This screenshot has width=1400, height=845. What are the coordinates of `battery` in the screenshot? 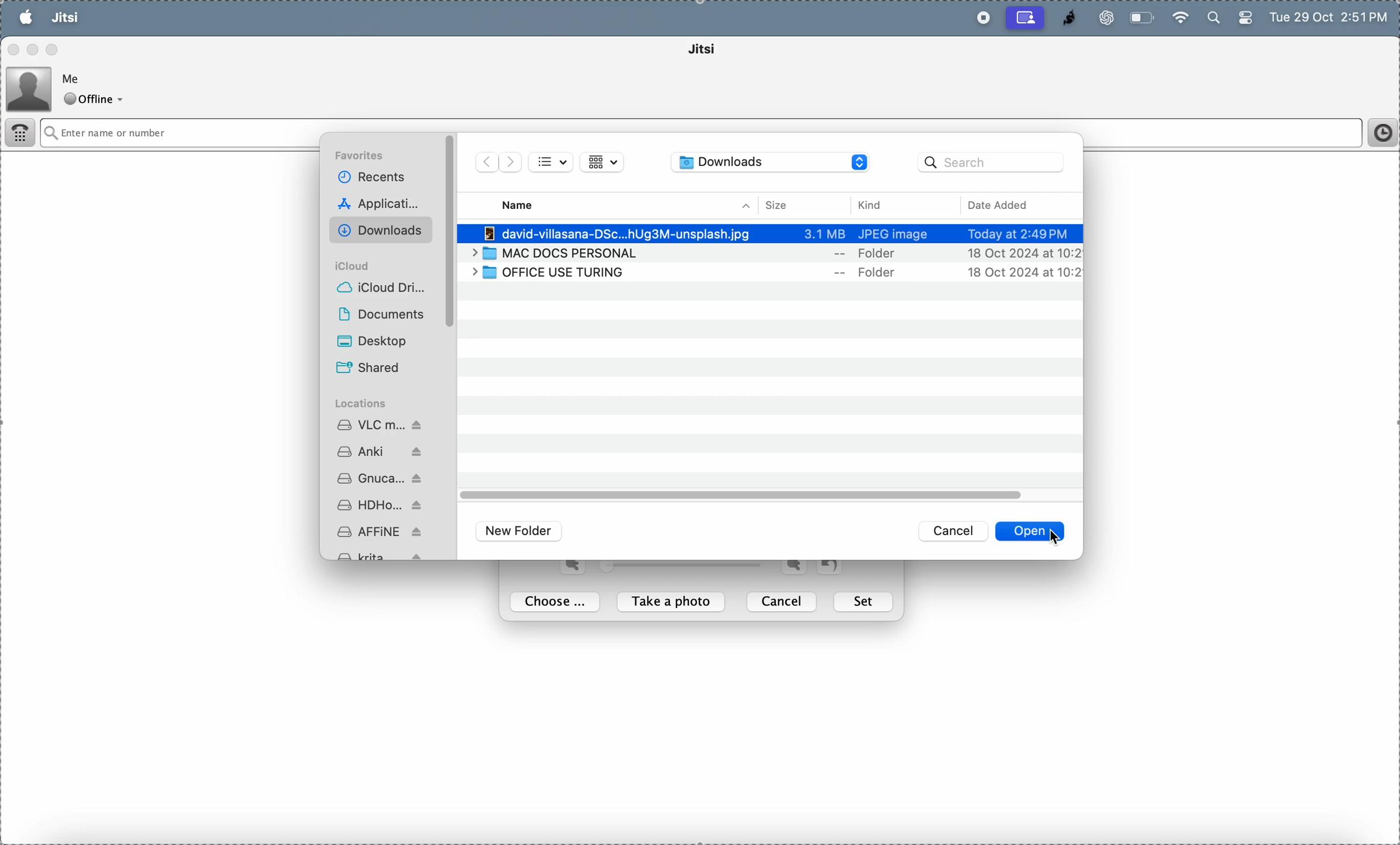 It's located at (1244, 20).